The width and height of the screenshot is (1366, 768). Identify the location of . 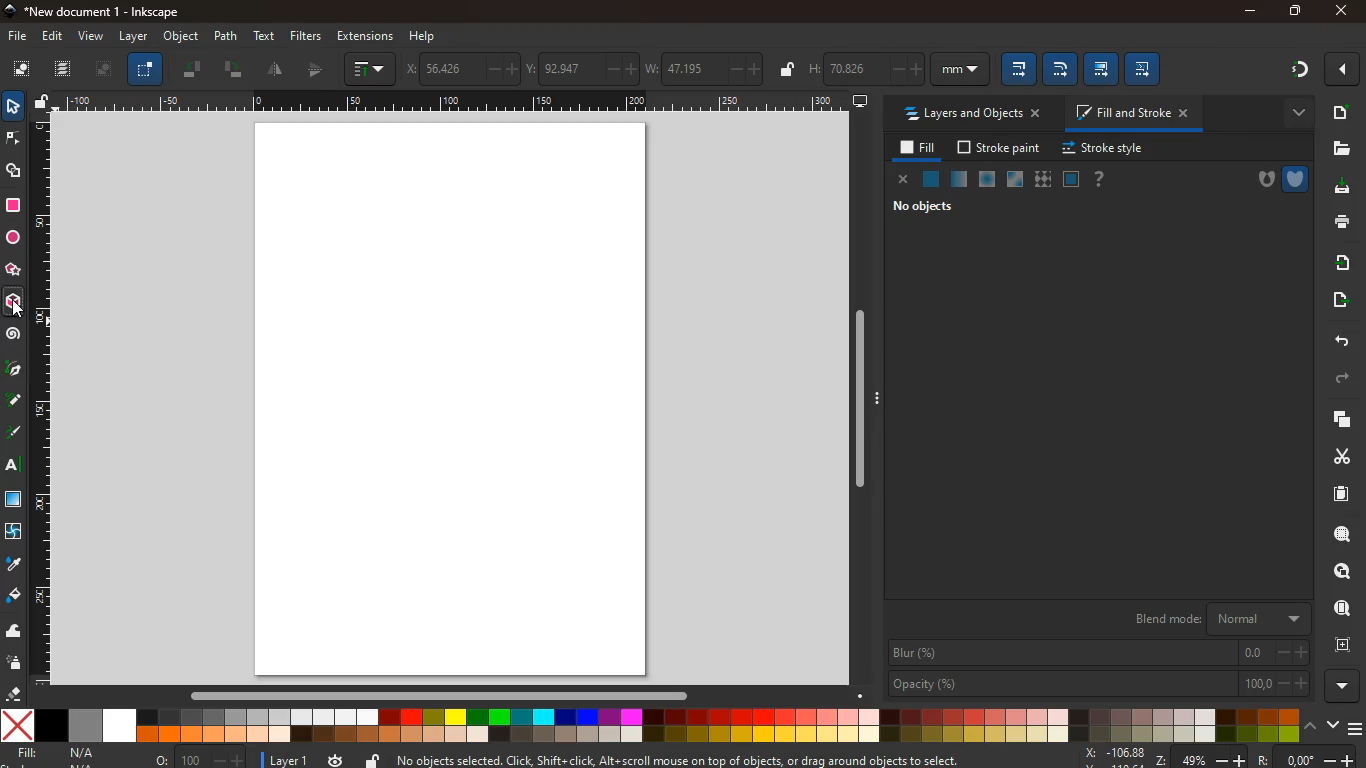
(1267, 758).